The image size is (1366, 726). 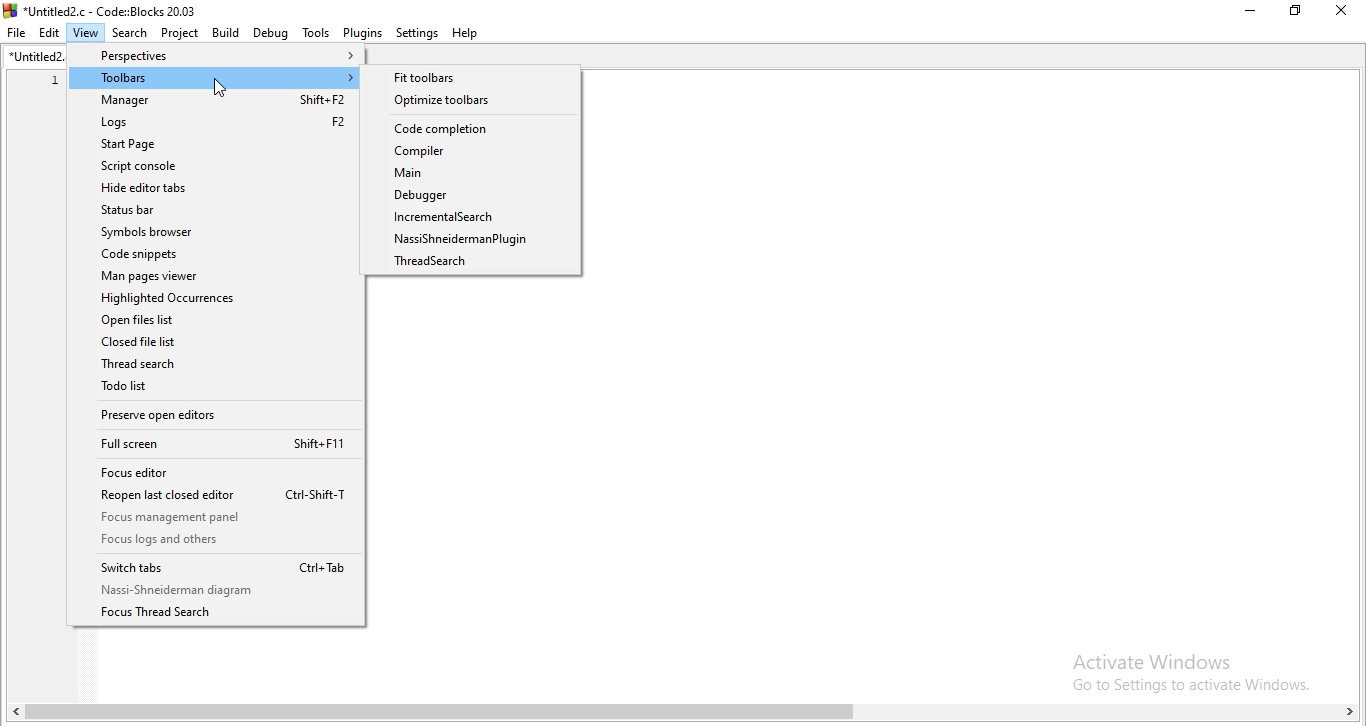 What do you see at coordinates (415, 32) in the screenshot?
I see `settings` at bounding box center [415, 32].